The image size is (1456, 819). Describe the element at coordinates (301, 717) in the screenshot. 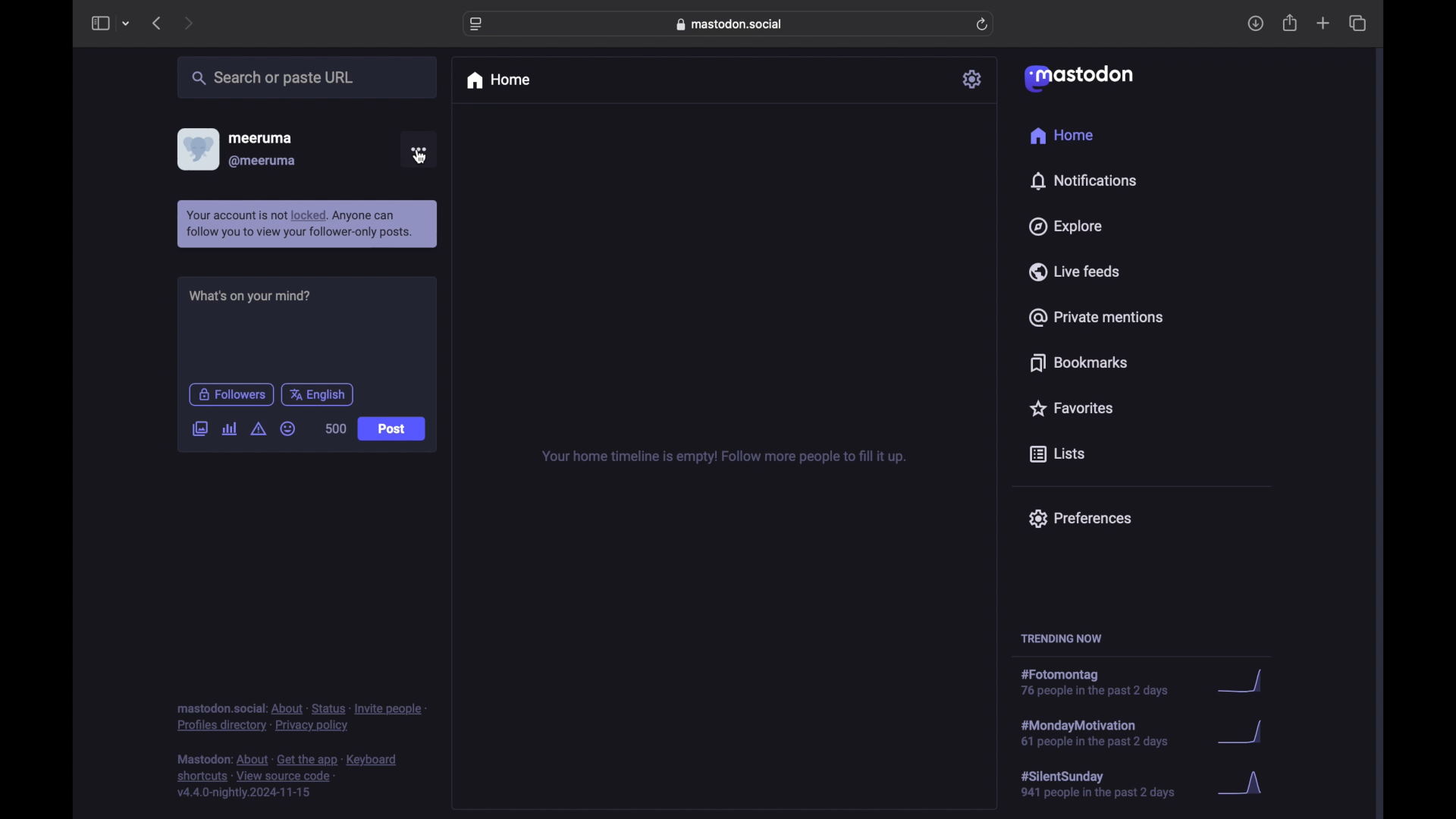

I see `footnote` at that location.